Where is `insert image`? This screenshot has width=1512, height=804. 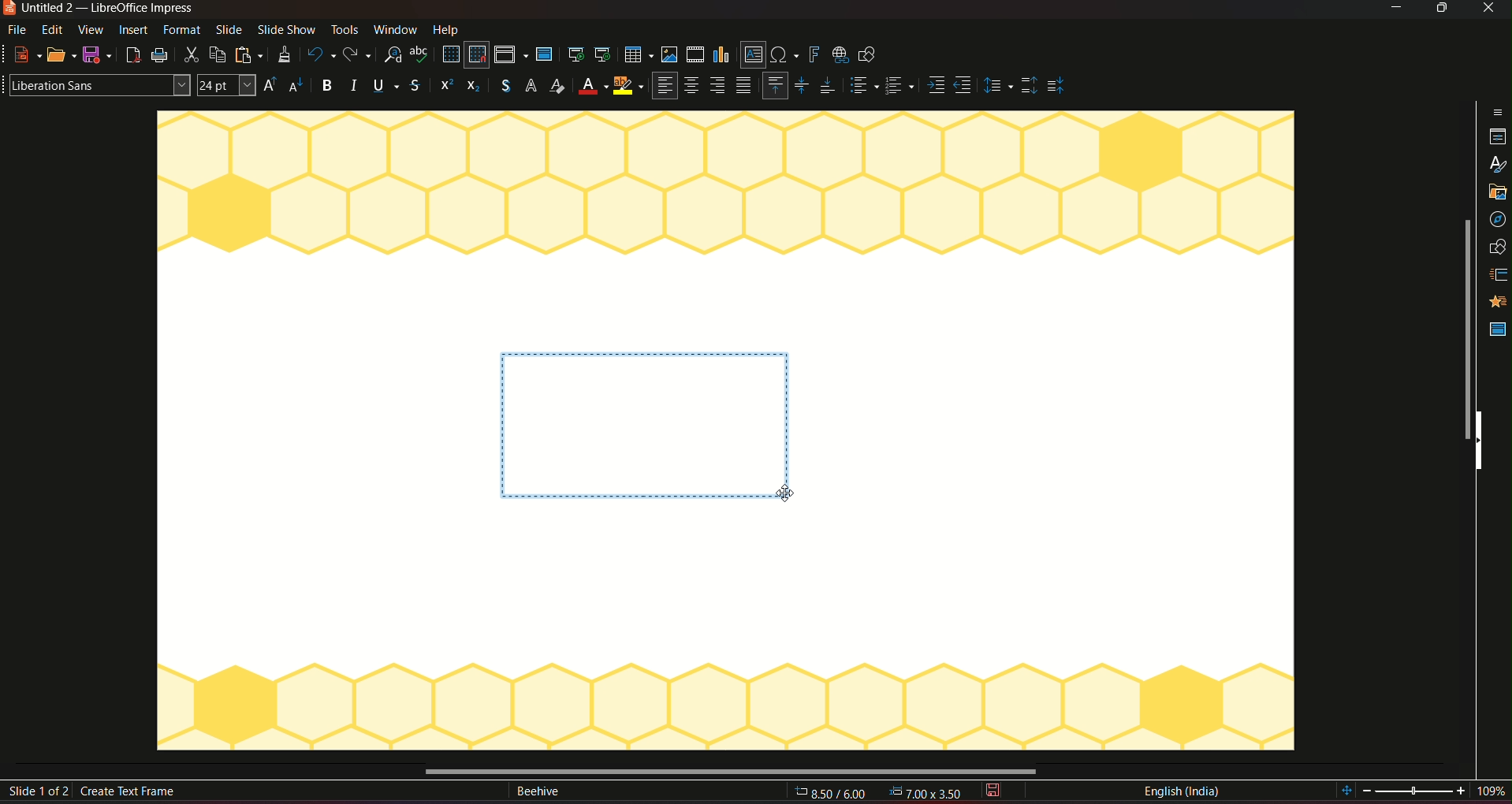
insert image is located at coordinates (668, 54).